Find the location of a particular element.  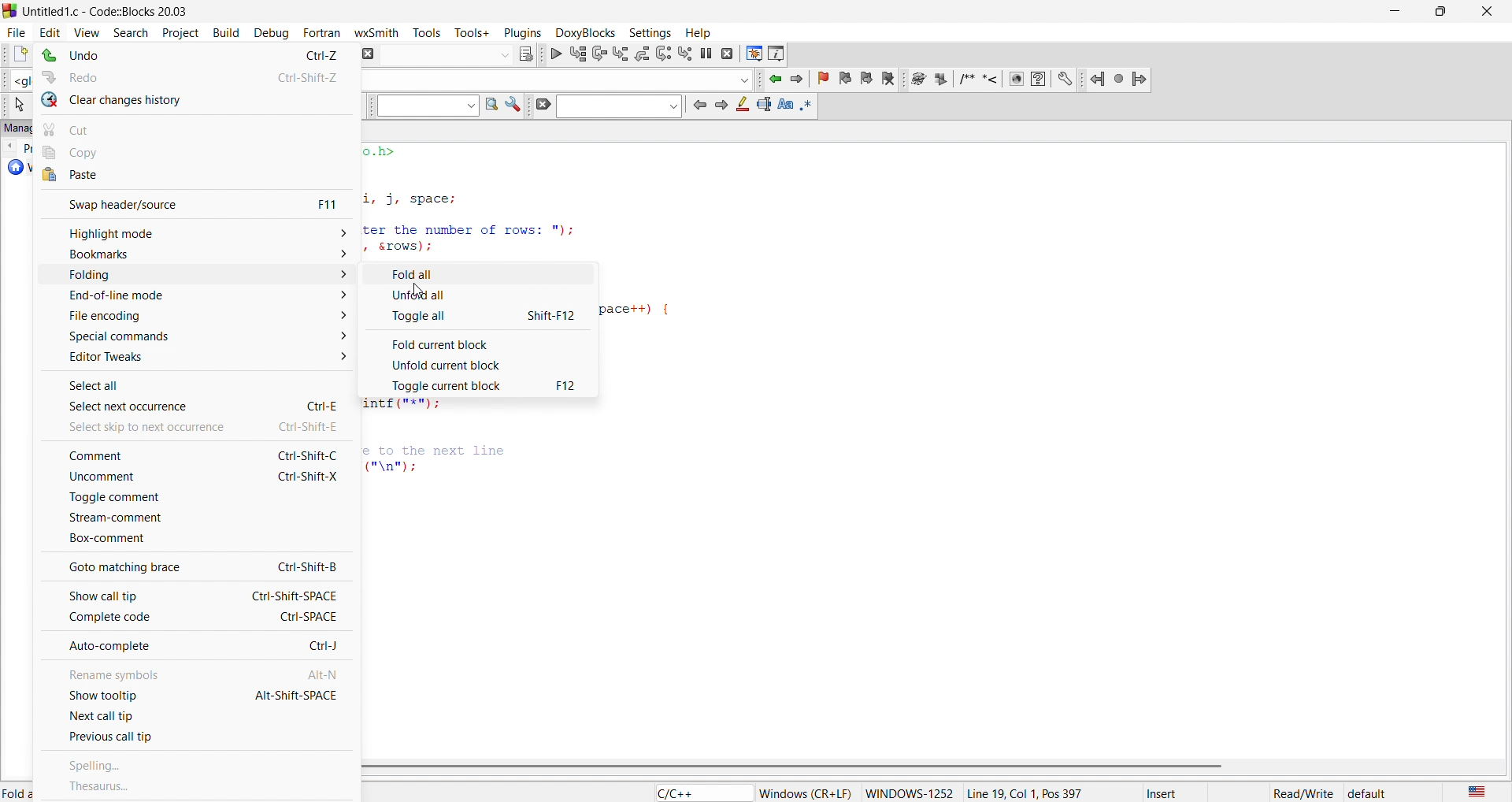

clear changes history is located at coordinates (197, 100).